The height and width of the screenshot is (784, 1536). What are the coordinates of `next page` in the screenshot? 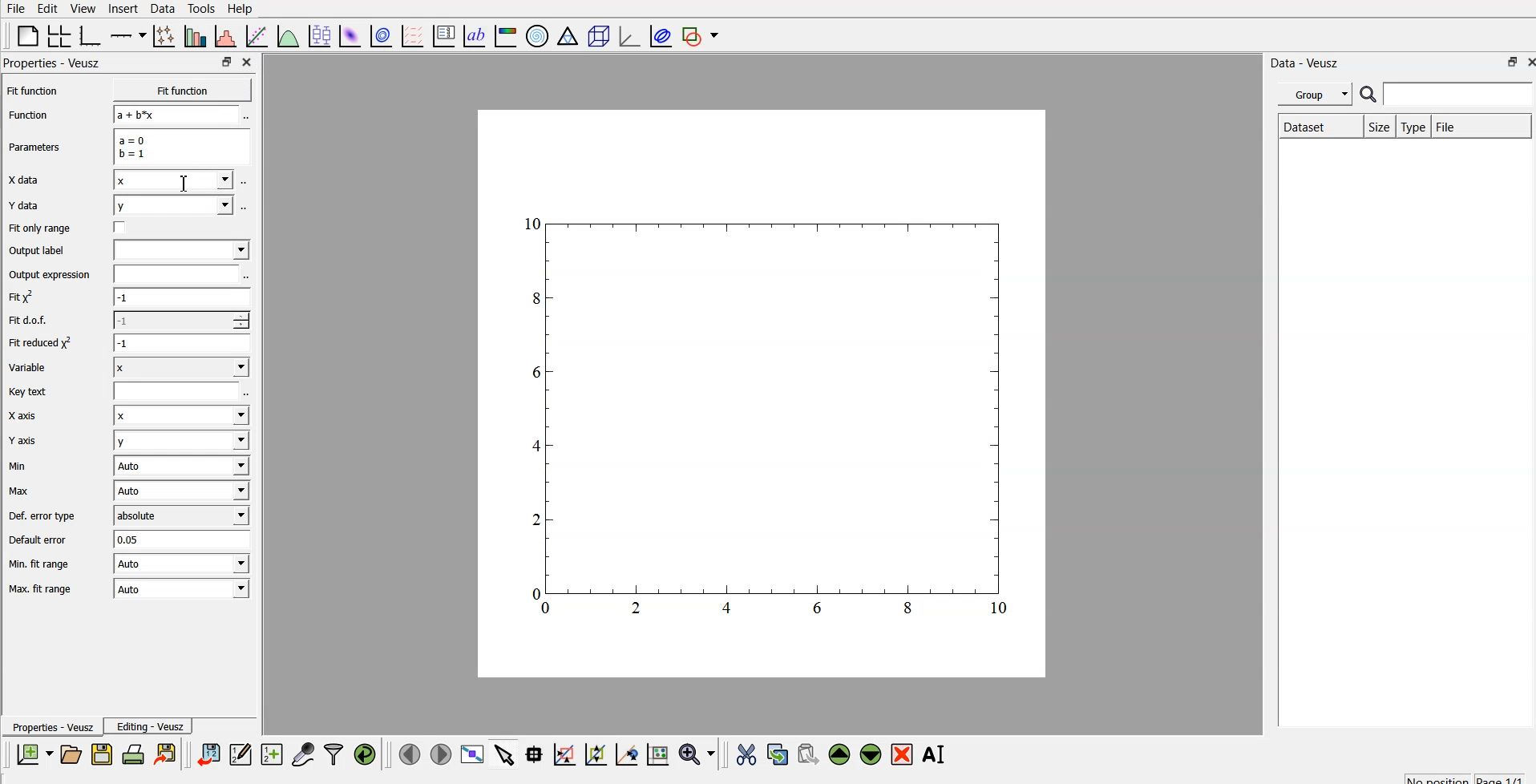 It's located at (440, 756).